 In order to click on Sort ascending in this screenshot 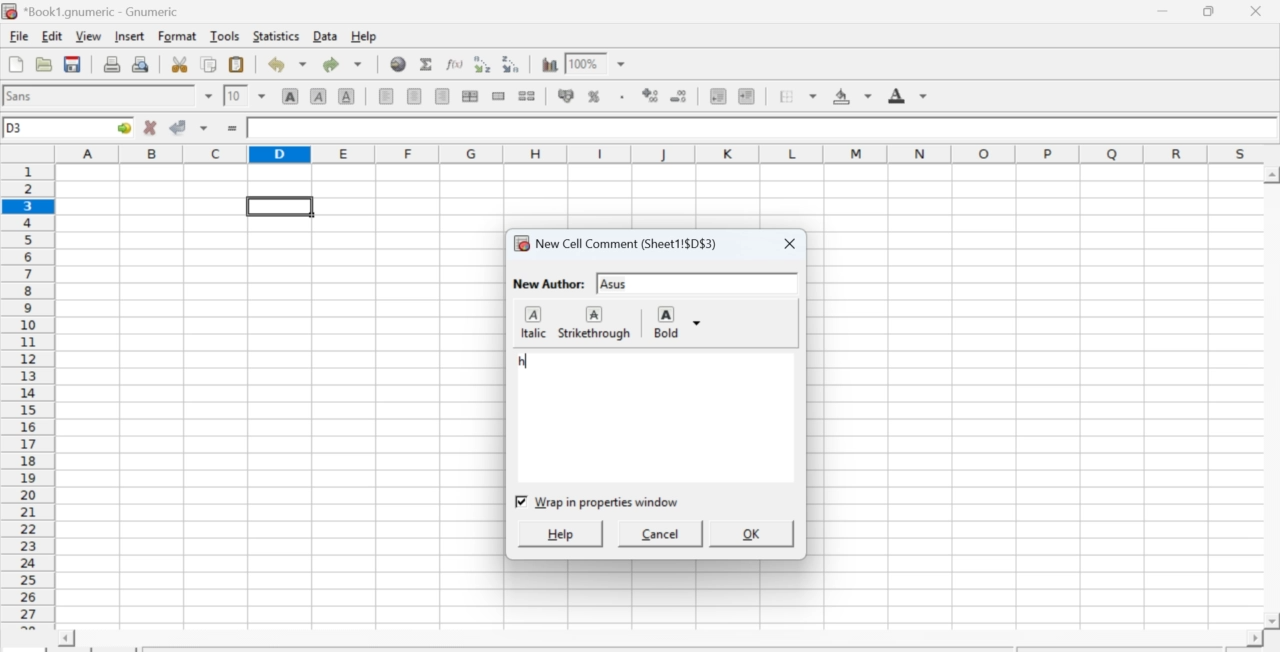, I will do `click(482, 65)`.